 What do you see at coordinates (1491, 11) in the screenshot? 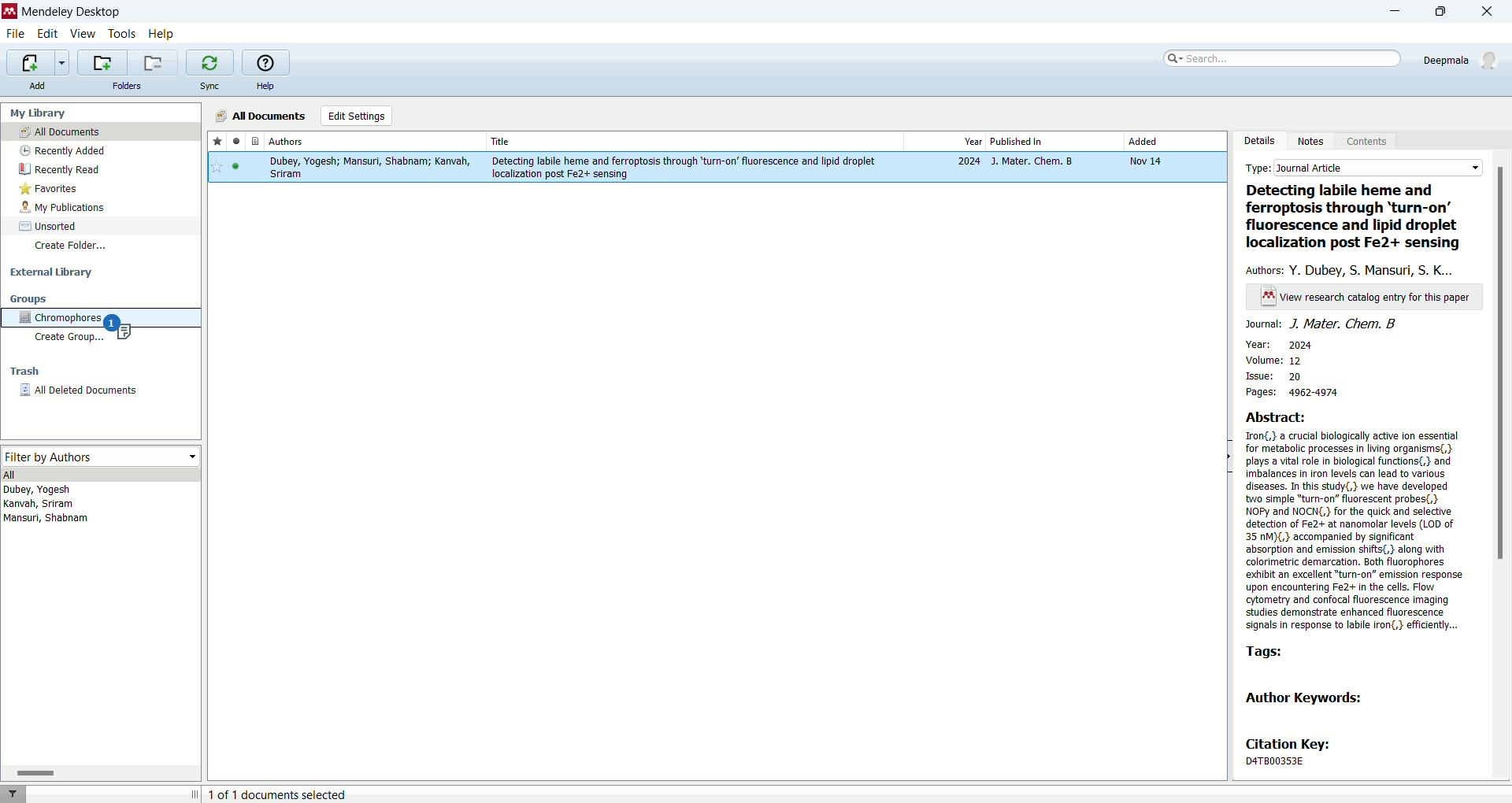
I see `close` at bounding box center [1491, 11].